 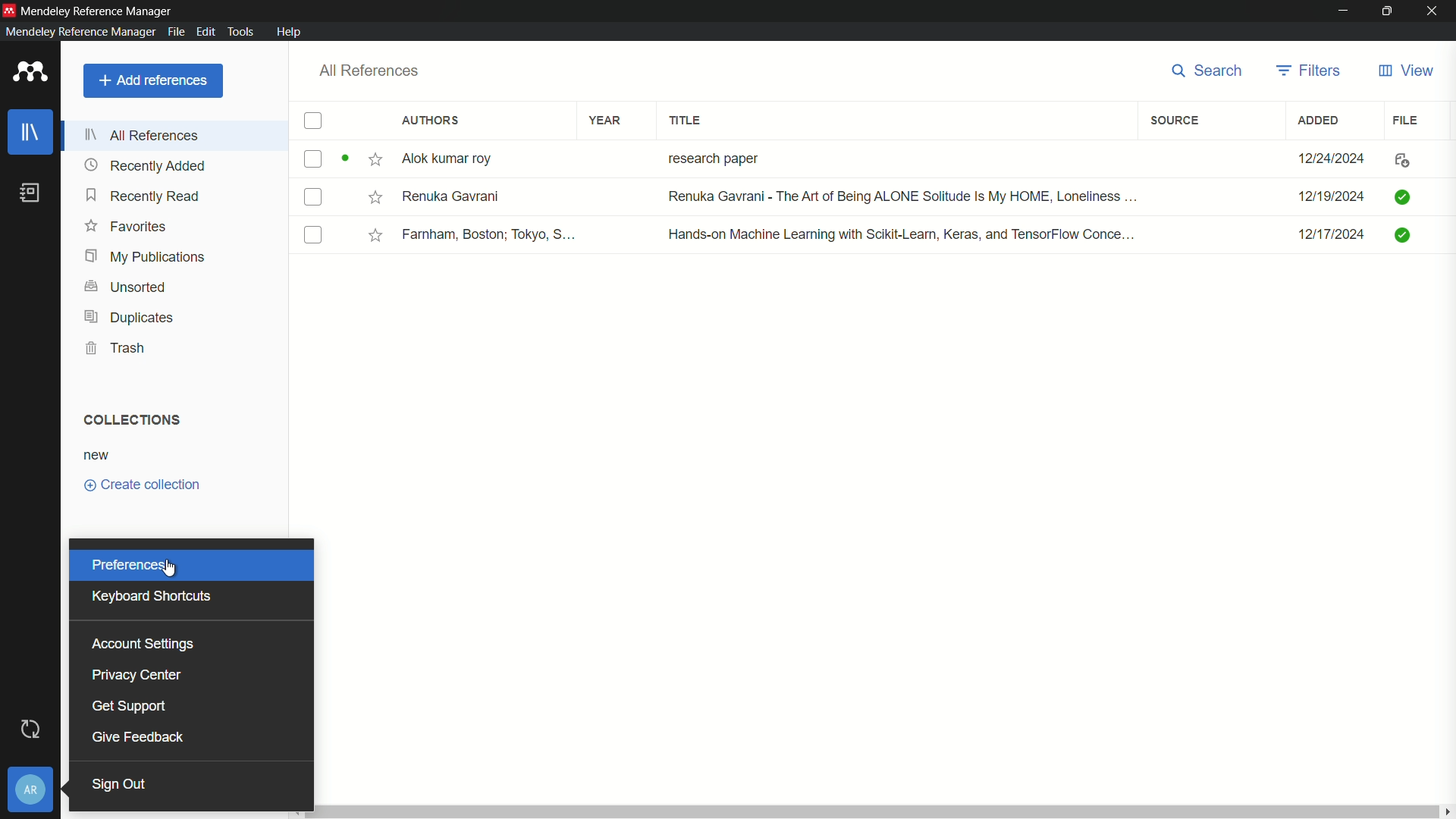 What do you see at coordinates (309, 158) in the screenshot?
I see `check` at bounding box center [309, 158].